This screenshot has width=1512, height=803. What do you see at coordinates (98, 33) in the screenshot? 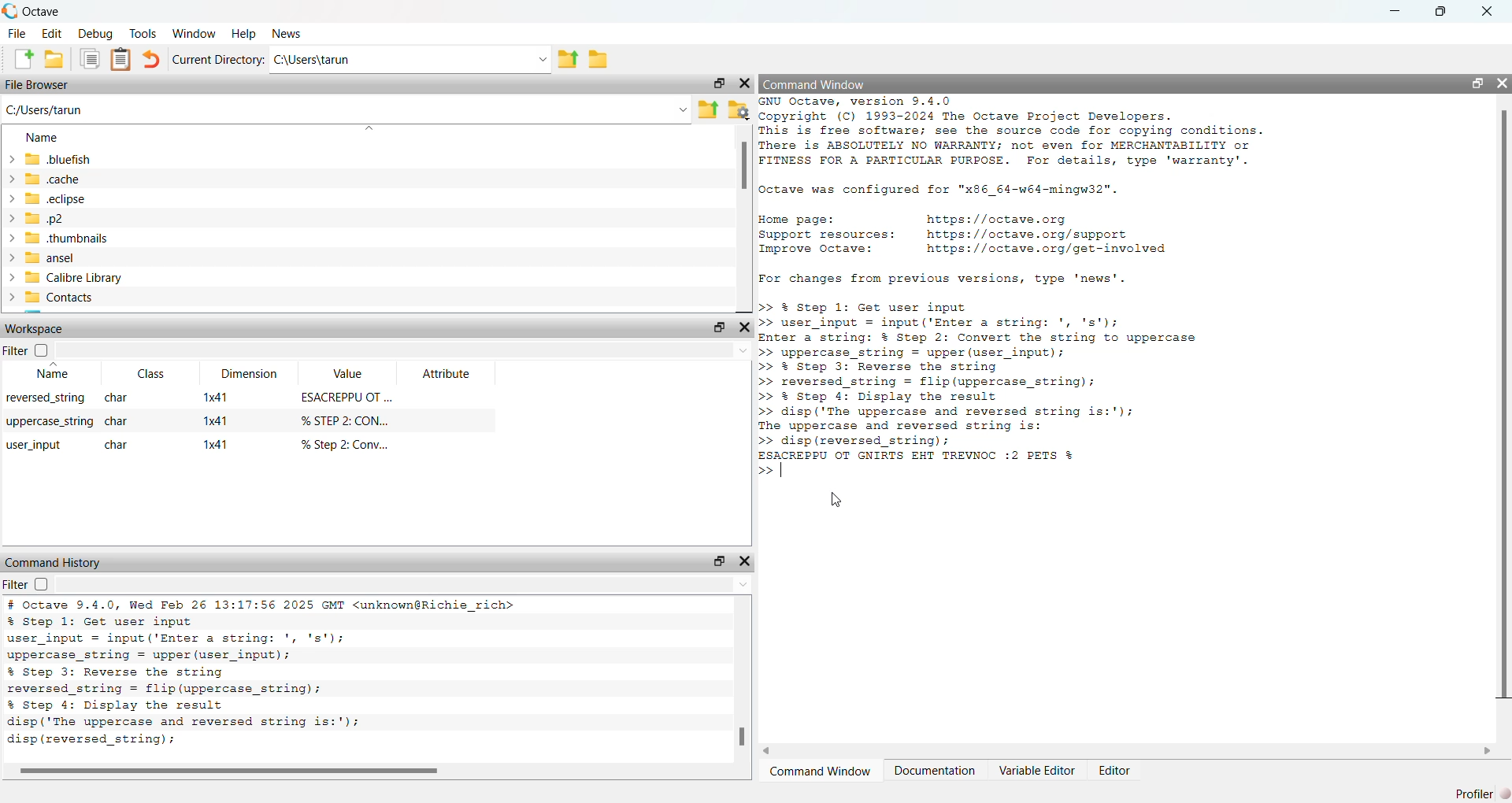
I see `debug` at bounding box center [98, 33].